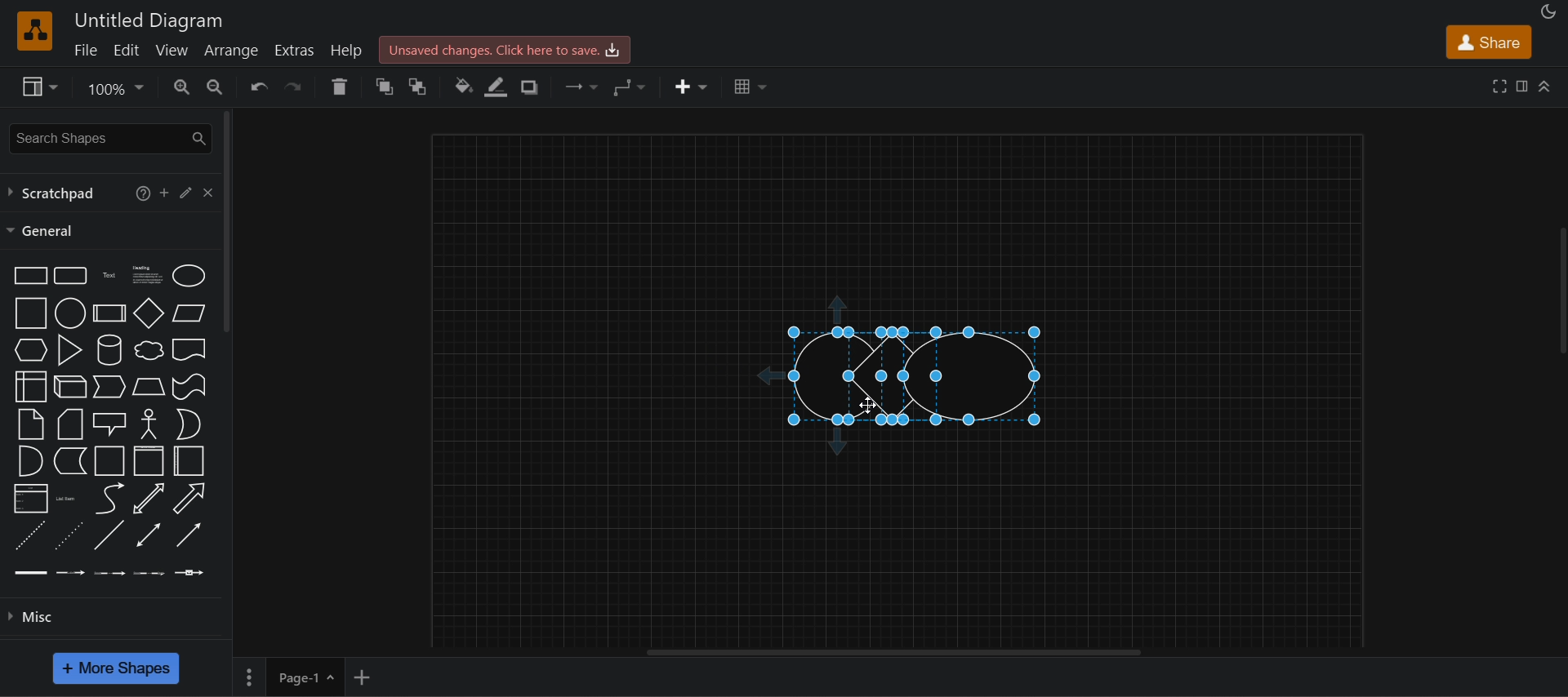 The height and width of the screenshot is (697, 1568). Describe the element at coordinates (189, 386) in the screenshot. I see `taPE` at that location.